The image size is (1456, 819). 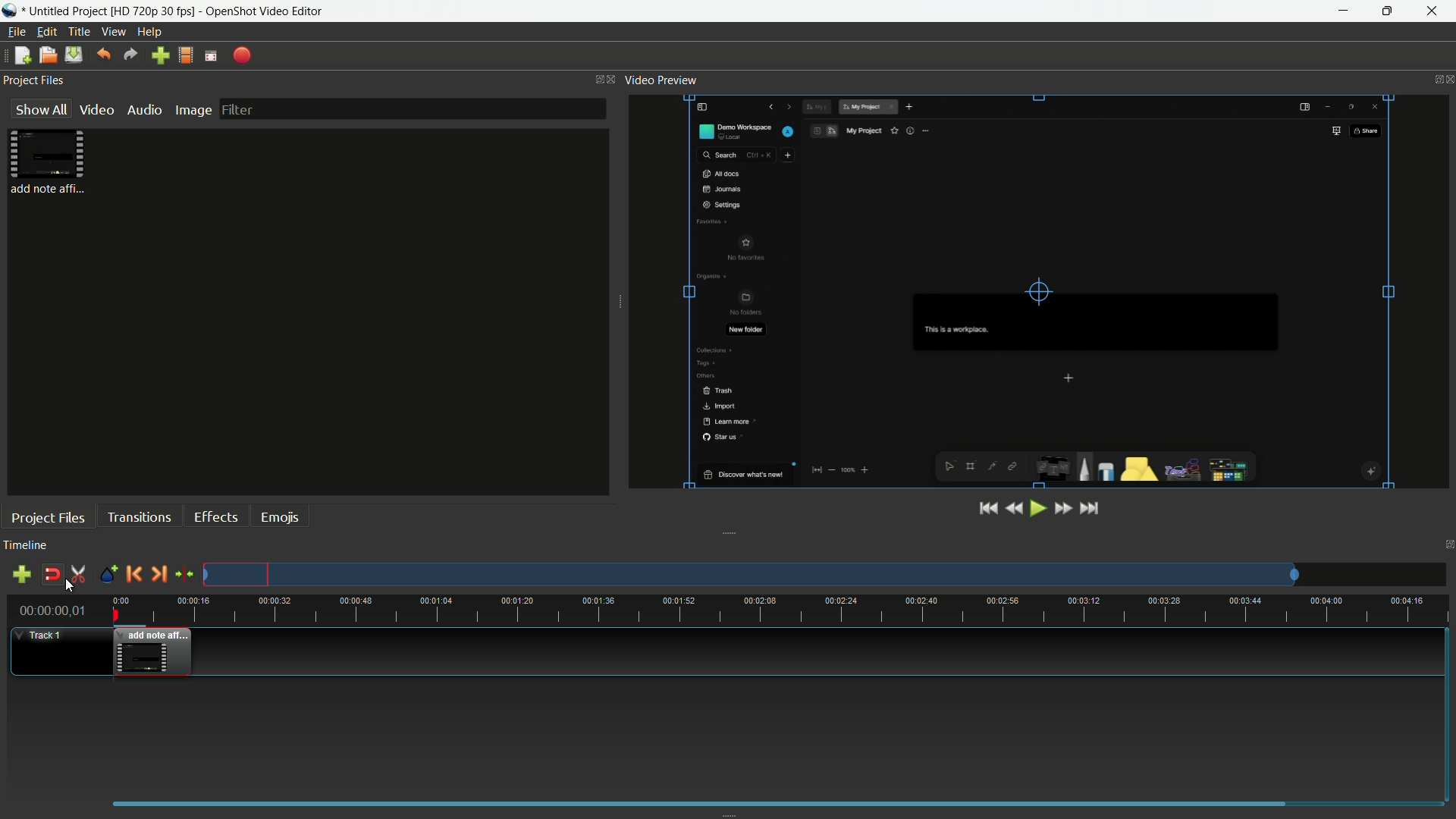 What do you see at coordinates (112, 32) in the screenshot?
I see `view menu` at bounding box center [112, 32].